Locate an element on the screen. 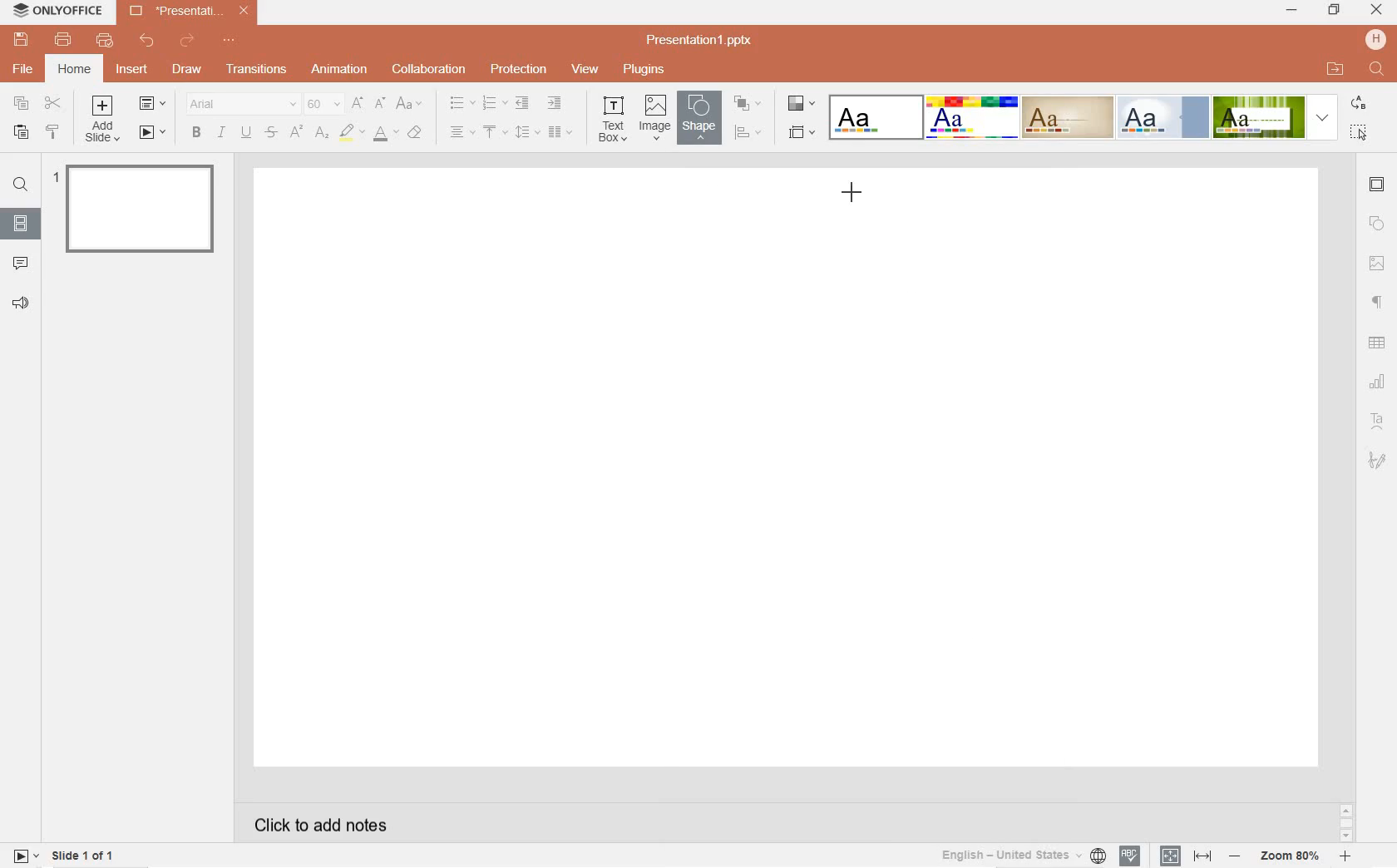 This screenshot has height=868, width=1397. cursor is located at coordinates (853, 194).